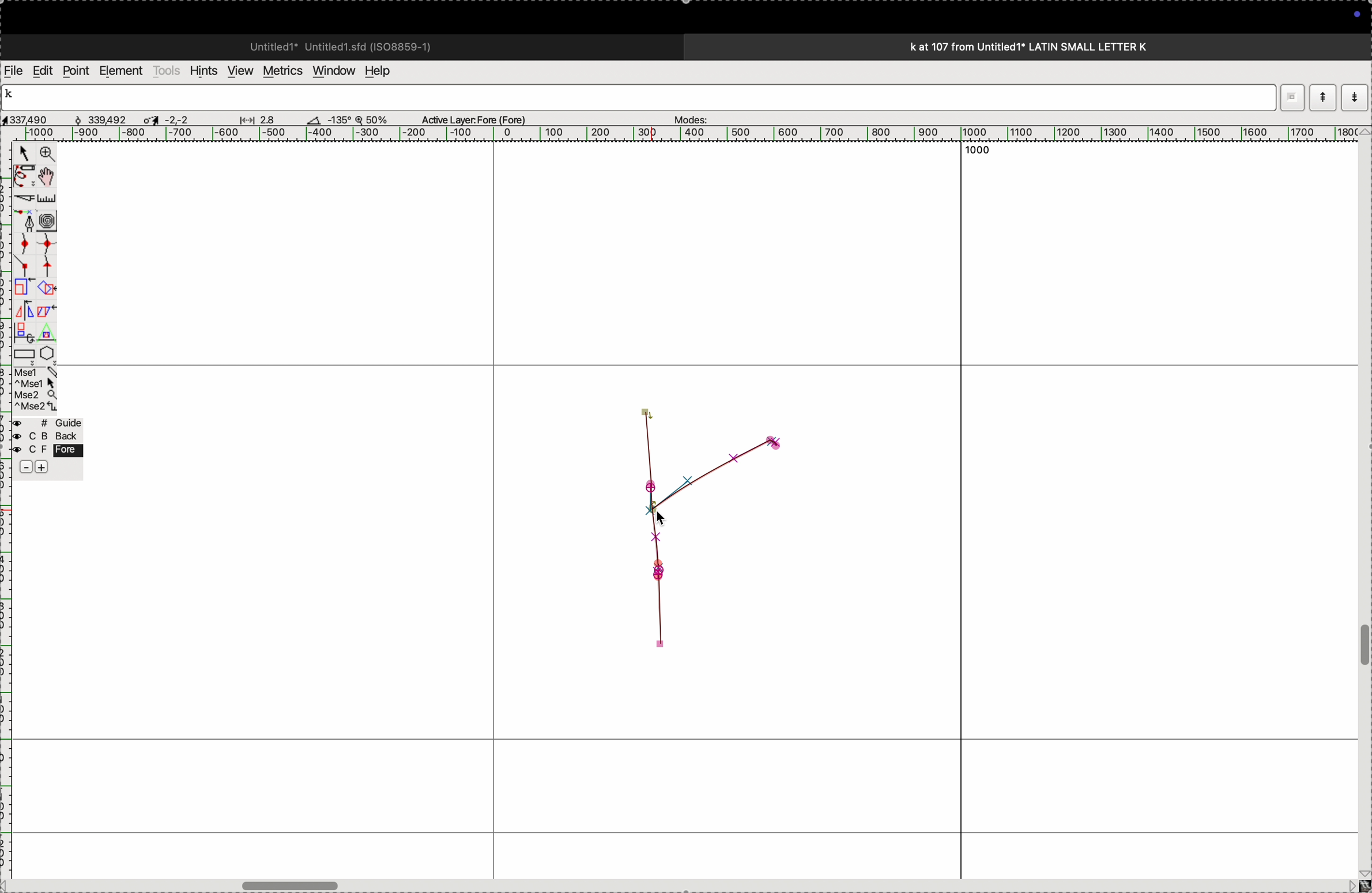 The height and width of the screenshot is (893, 1372). Describe the element at coordinates (1060, 46) in the screenshot. I see `title` at that location.